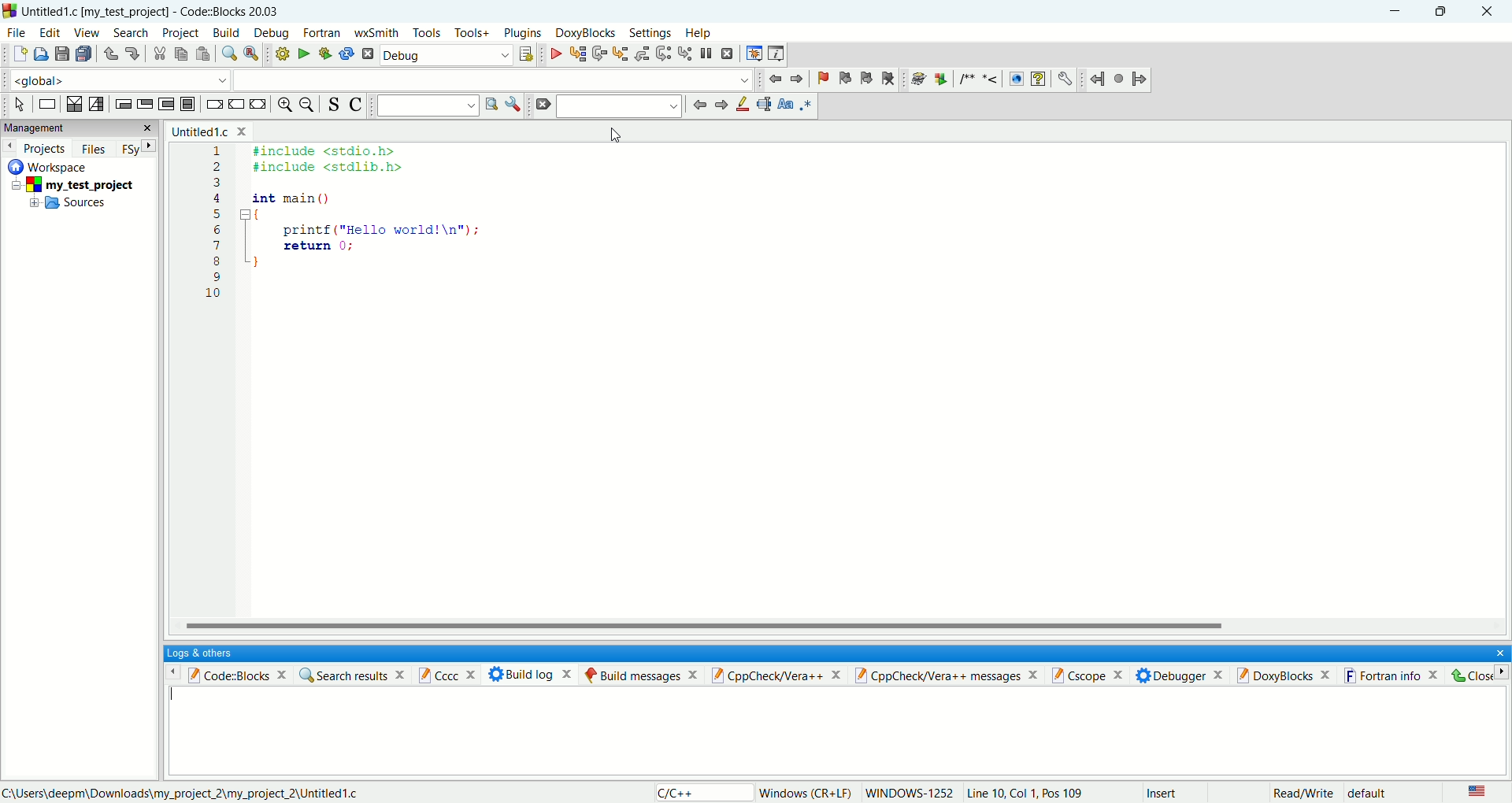 Image resolution: width=1512 pixels, height=803 pixels. Describe the element at coordinates (250, 54) in the screenshot. I see `replace` at that location.